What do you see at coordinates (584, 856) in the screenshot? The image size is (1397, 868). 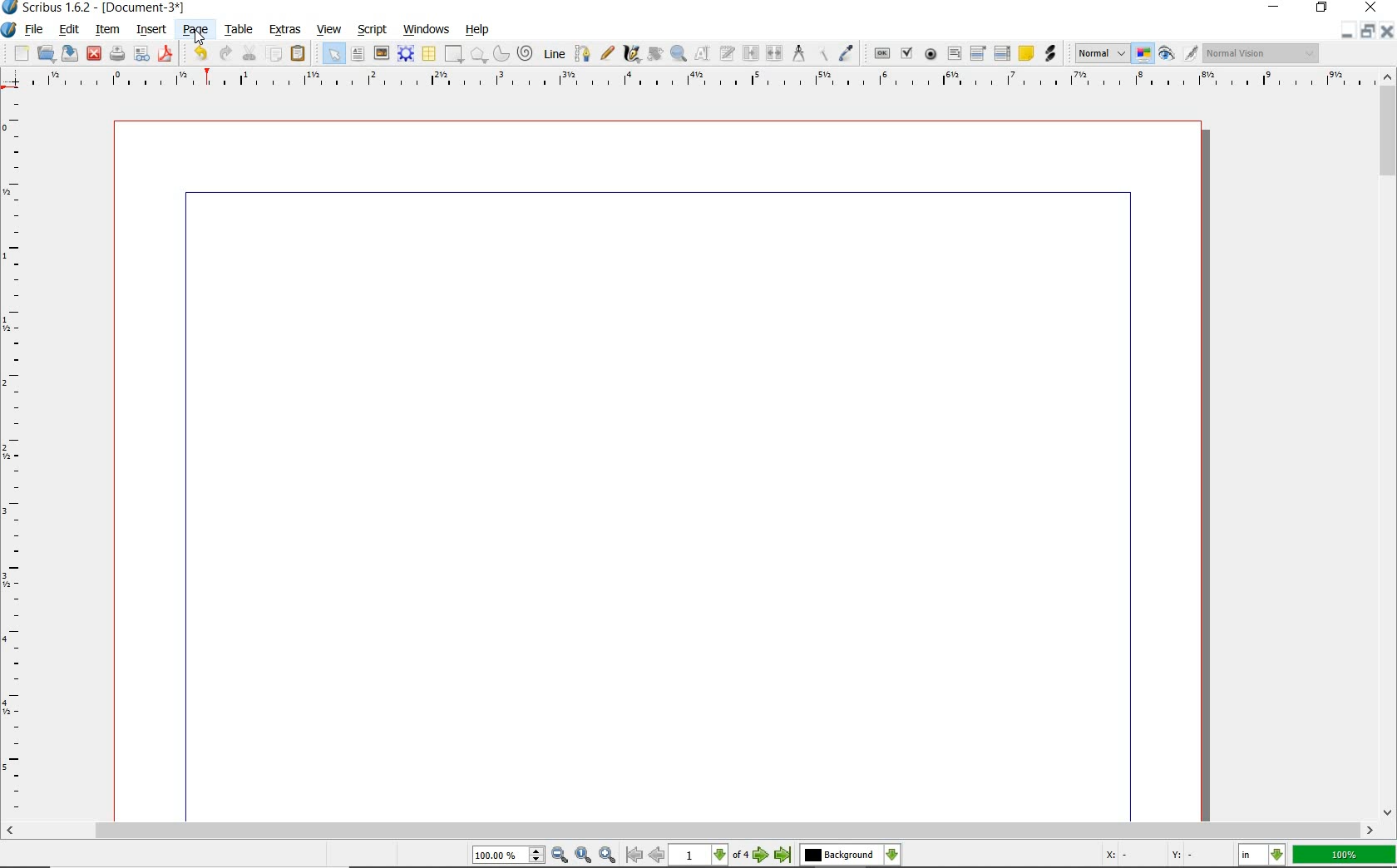 I see `Zoom to 100%` at bounding box center [584, 856].